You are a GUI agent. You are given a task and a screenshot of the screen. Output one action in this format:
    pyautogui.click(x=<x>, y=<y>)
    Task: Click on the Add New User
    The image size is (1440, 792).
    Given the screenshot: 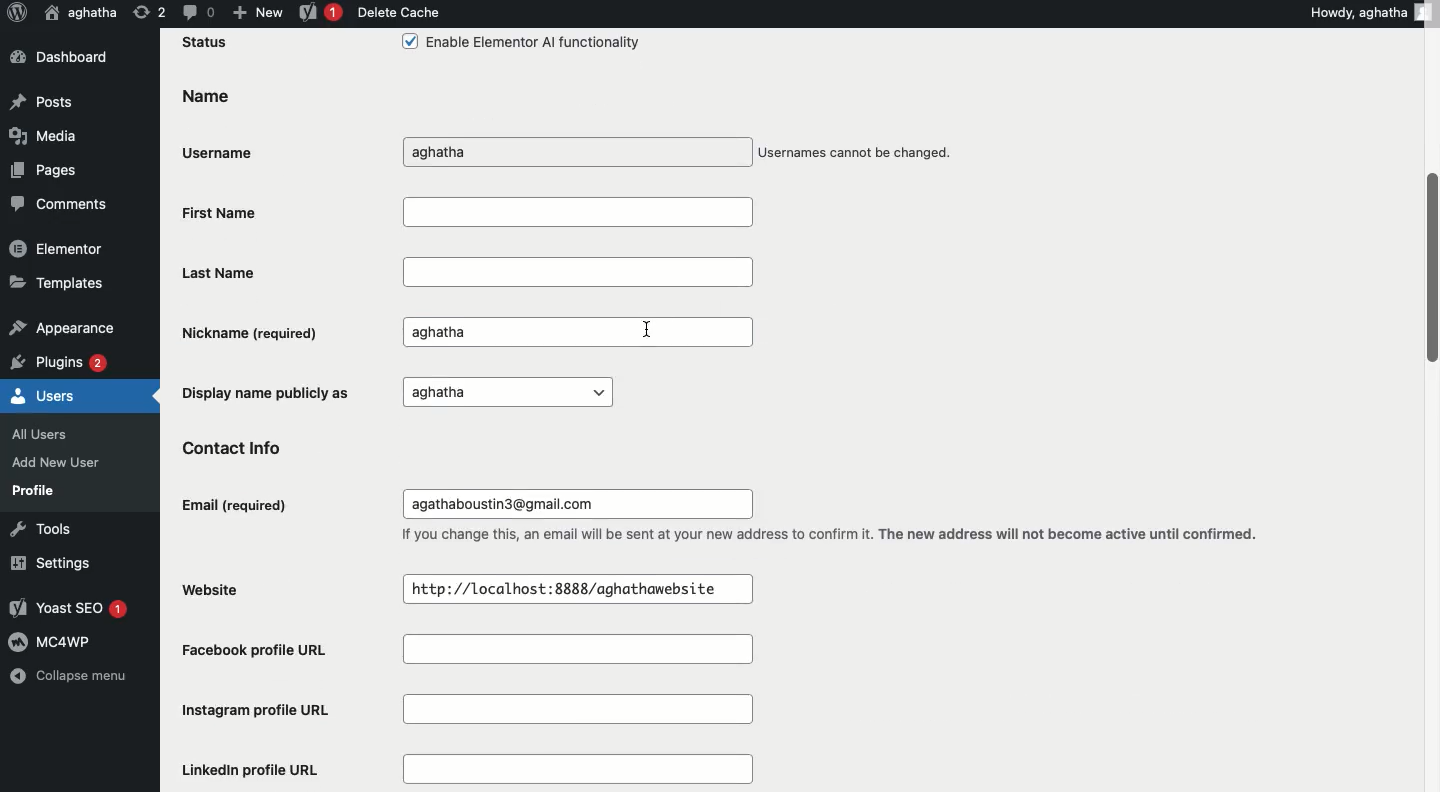 What is the action you would take?
    pyautogui.click(x=54, y=462)
    